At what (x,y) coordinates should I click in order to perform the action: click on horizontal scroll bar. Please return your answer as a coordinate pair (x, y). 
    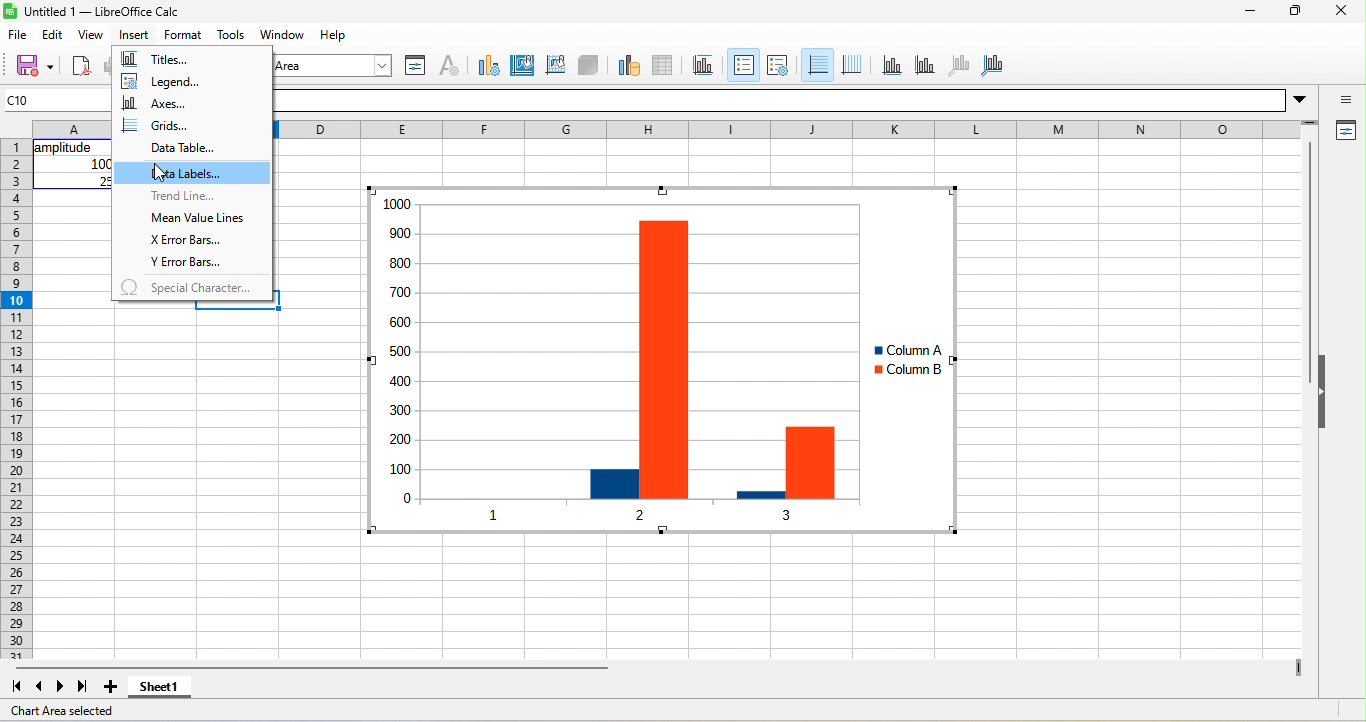
    Looking at the image, I should click on (311, 668).